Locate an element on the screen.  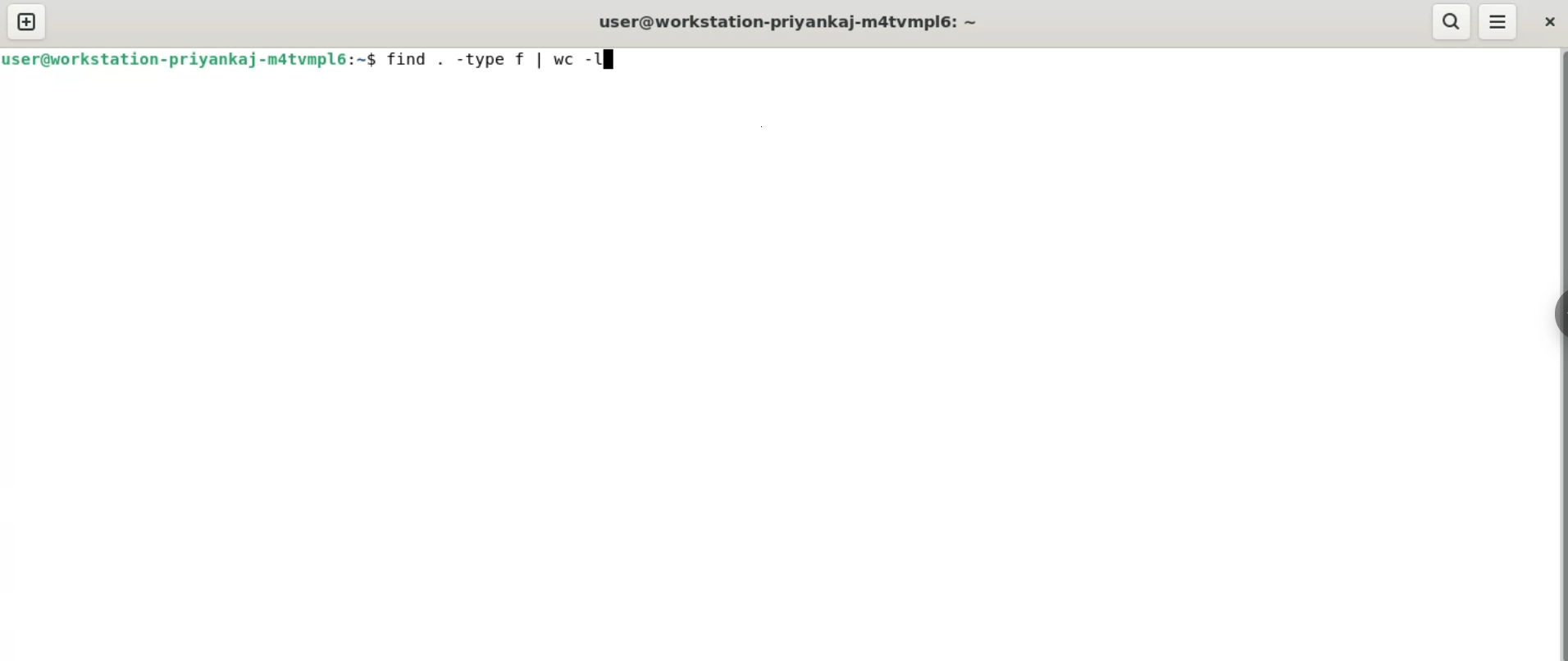
close is located at coordinates (1549, 23).